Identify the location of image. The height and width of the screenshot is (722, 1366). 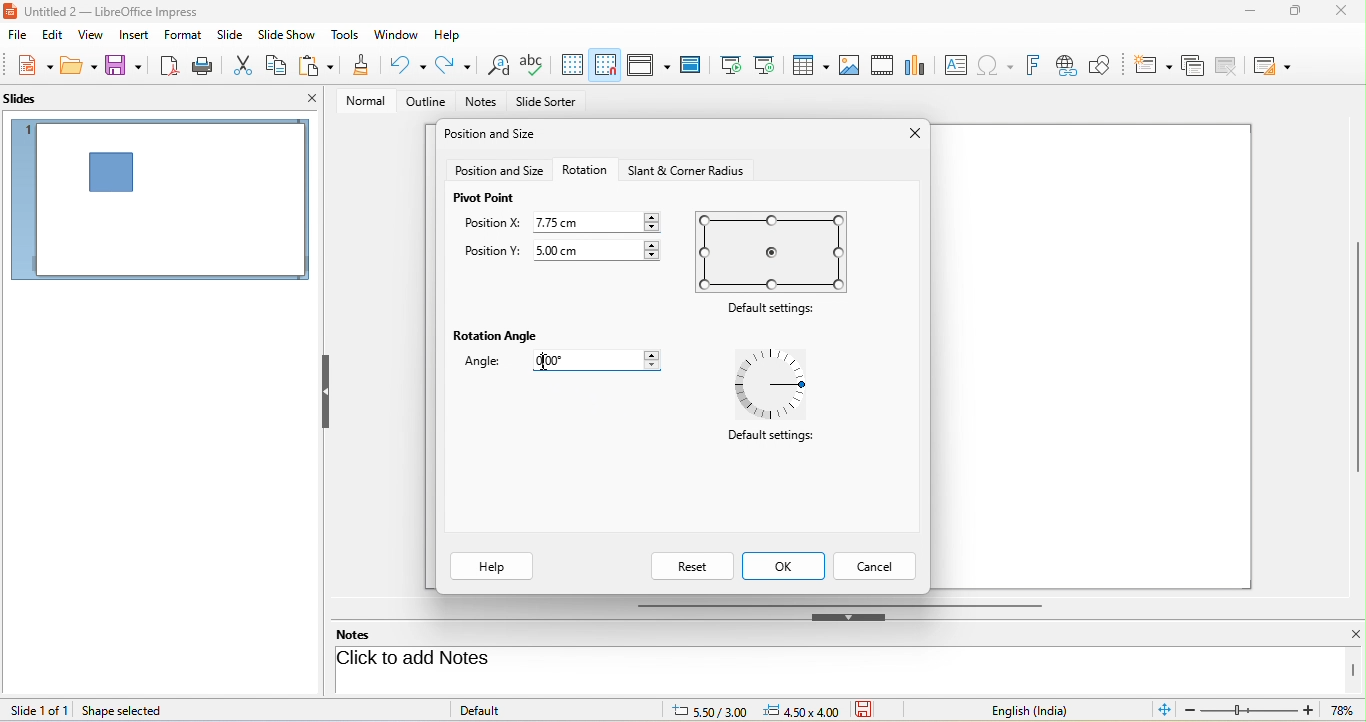
(850, 64).